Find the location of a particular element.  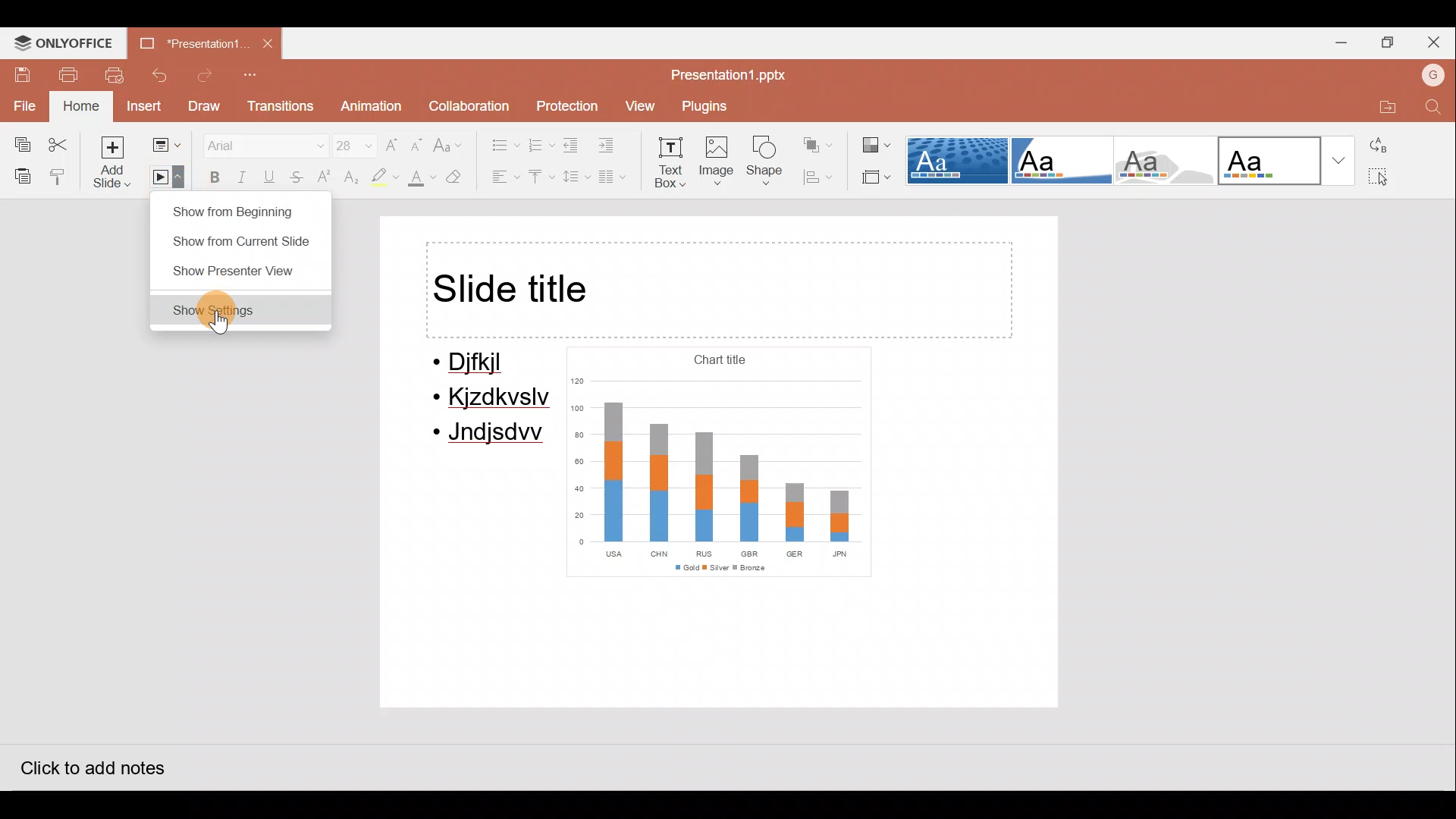

Change colour theme is located at coordinates (874, 146).